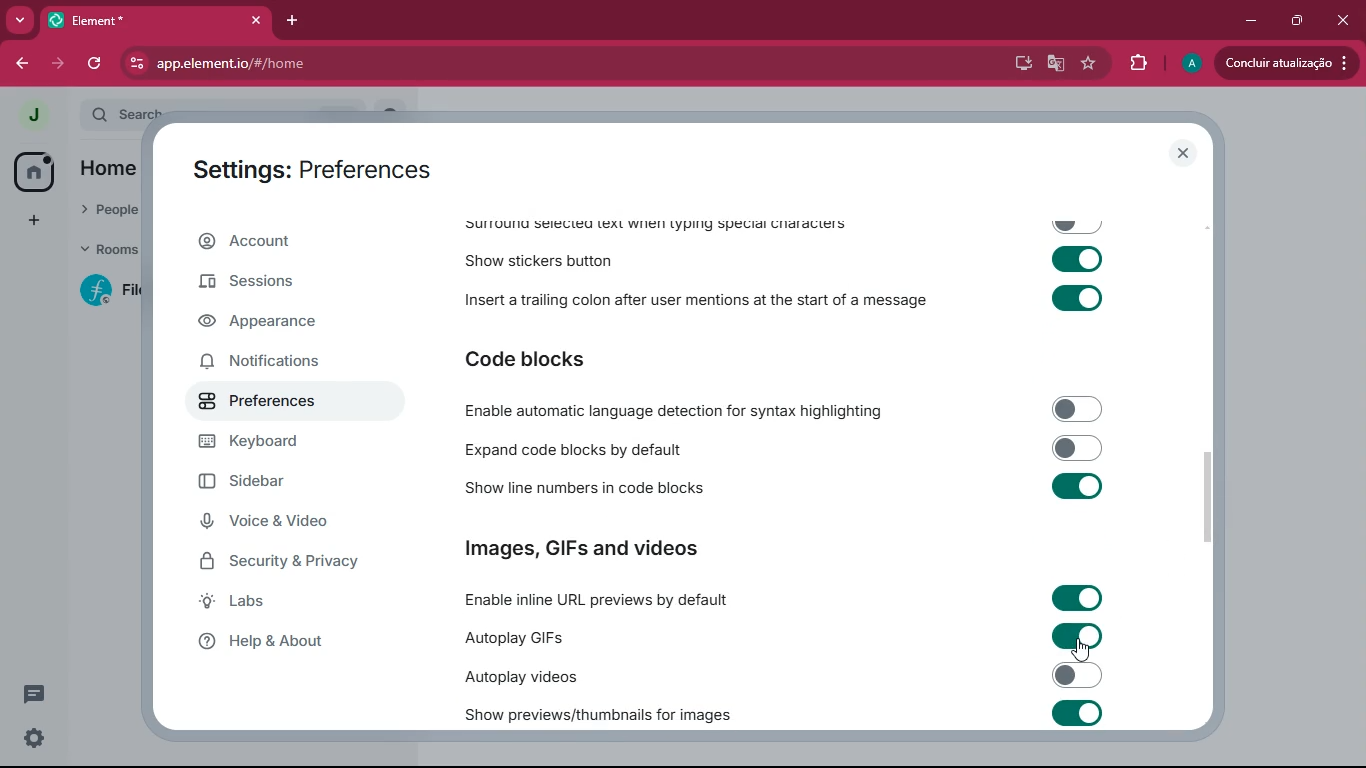 The height and width of the screenshot is (768, 1366). I want to click on cursor, so click(1081, 650).